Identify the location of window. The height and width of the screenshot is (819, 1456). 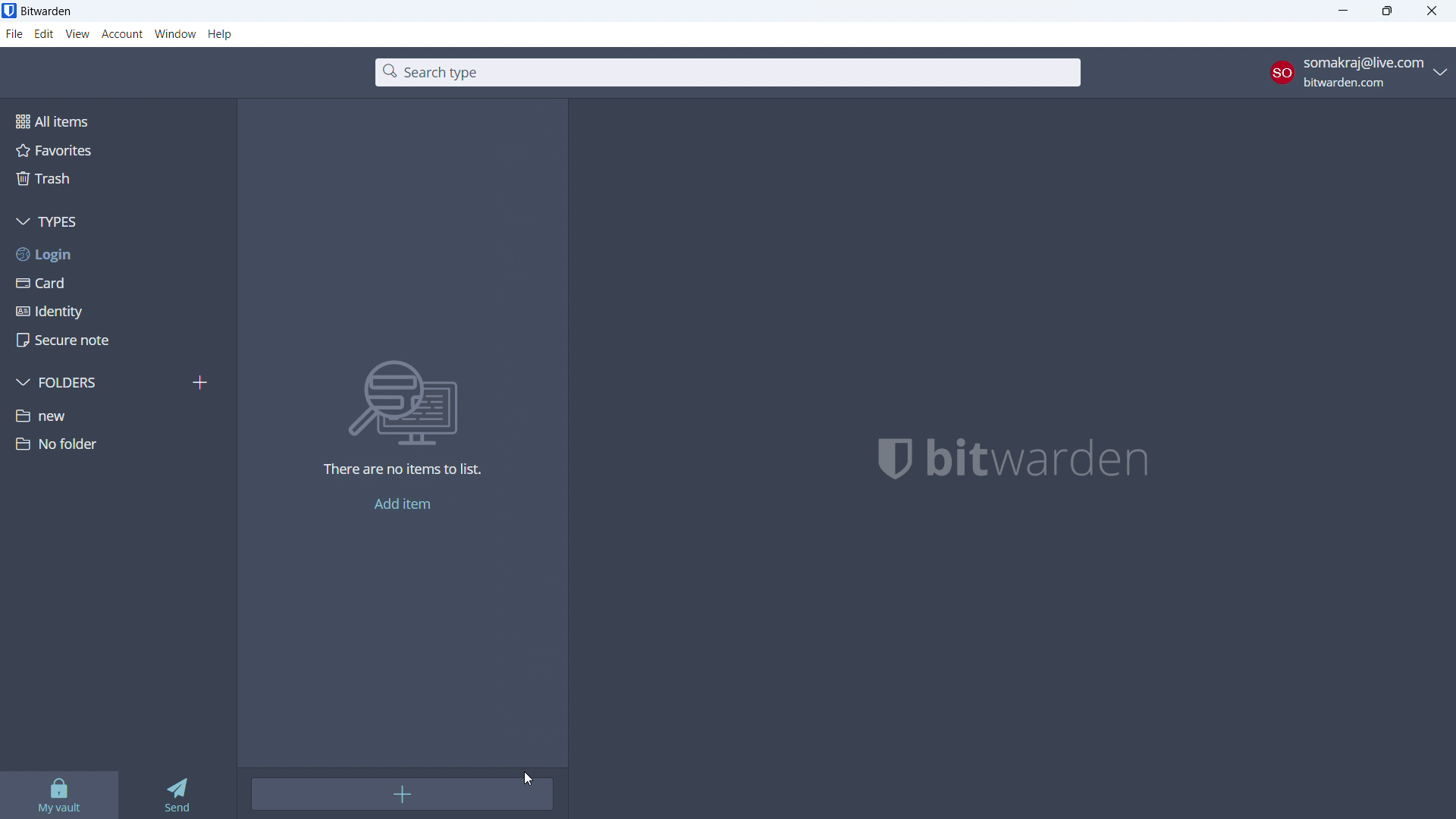
(176, 34).